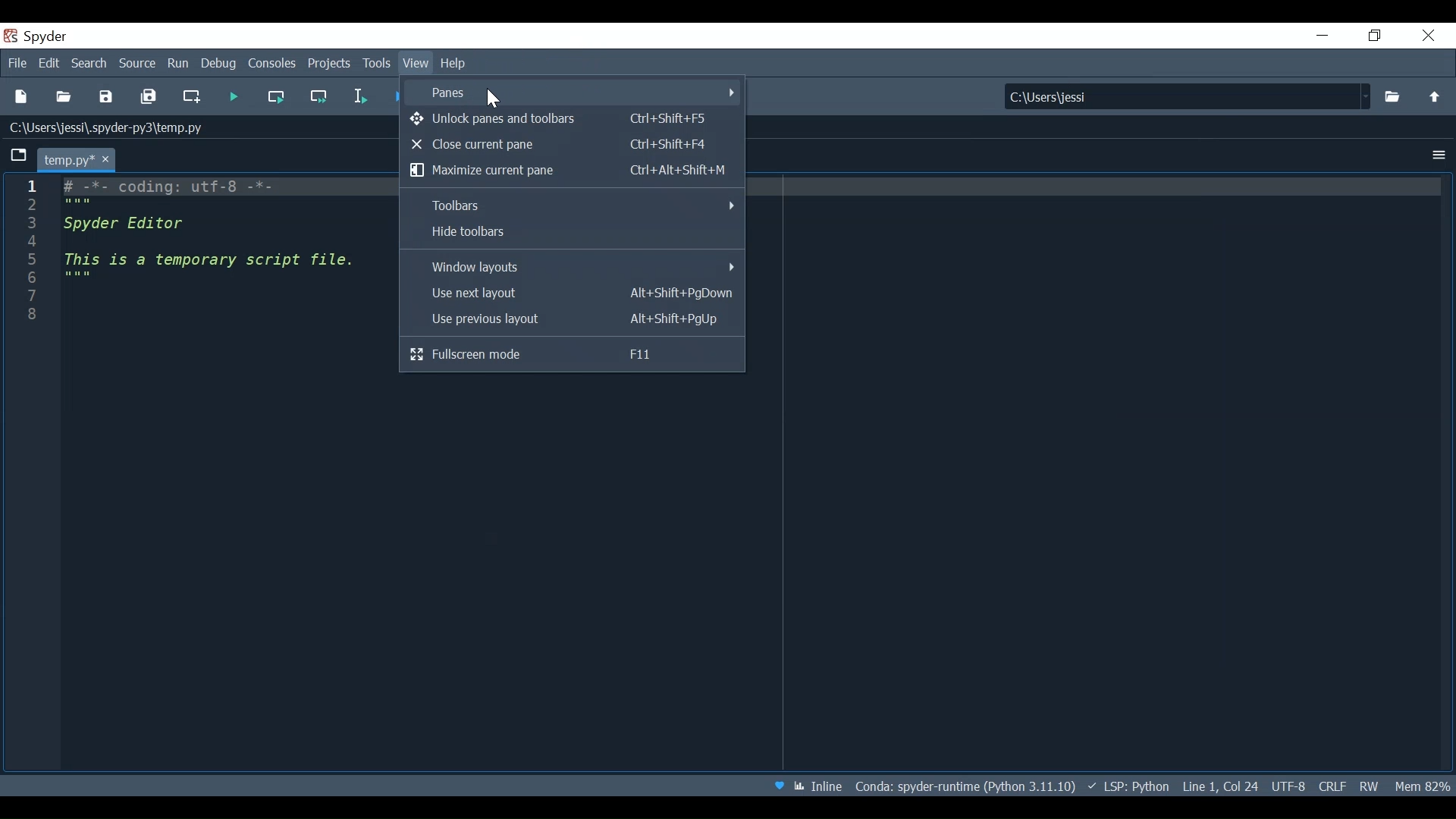 Image resolution: width=1456 pixels, height=819 pixels. I want to click on Run current cell and go to the next cell, so click(320, 96).